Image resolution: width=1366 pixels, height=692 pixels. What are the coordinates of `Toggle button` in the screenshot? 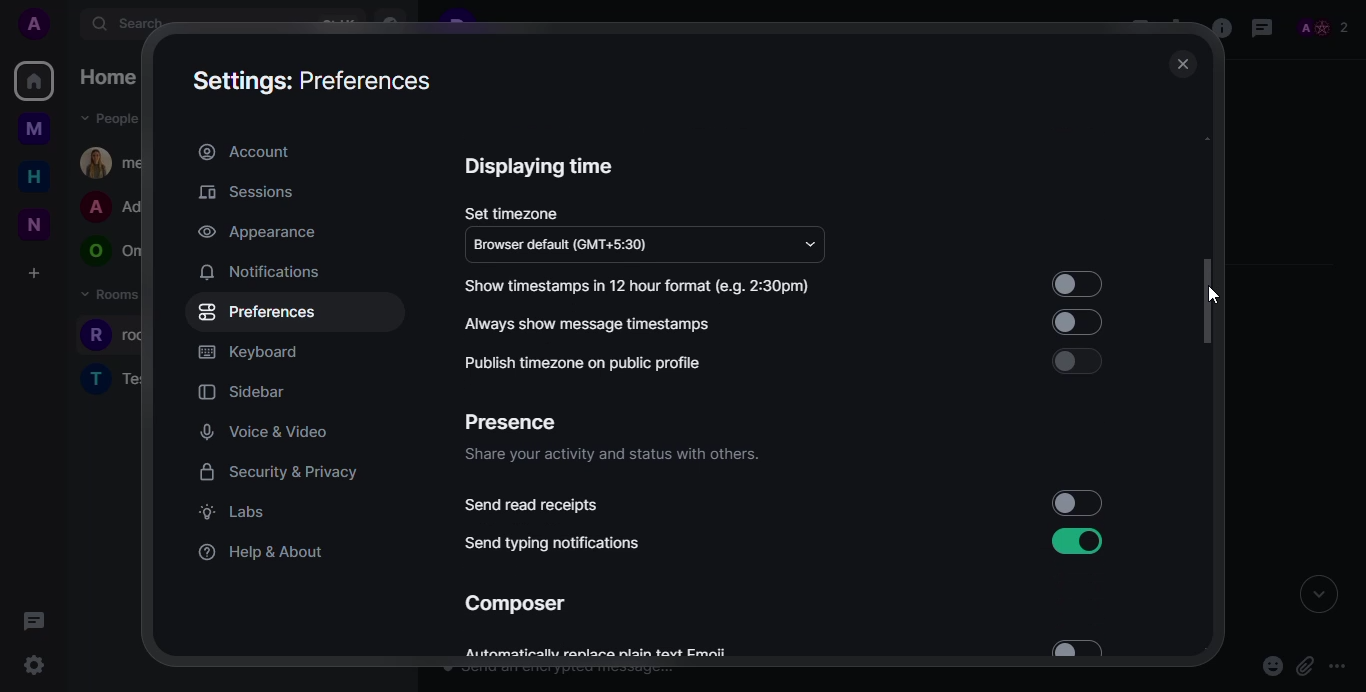 It's located at (1070, 324).